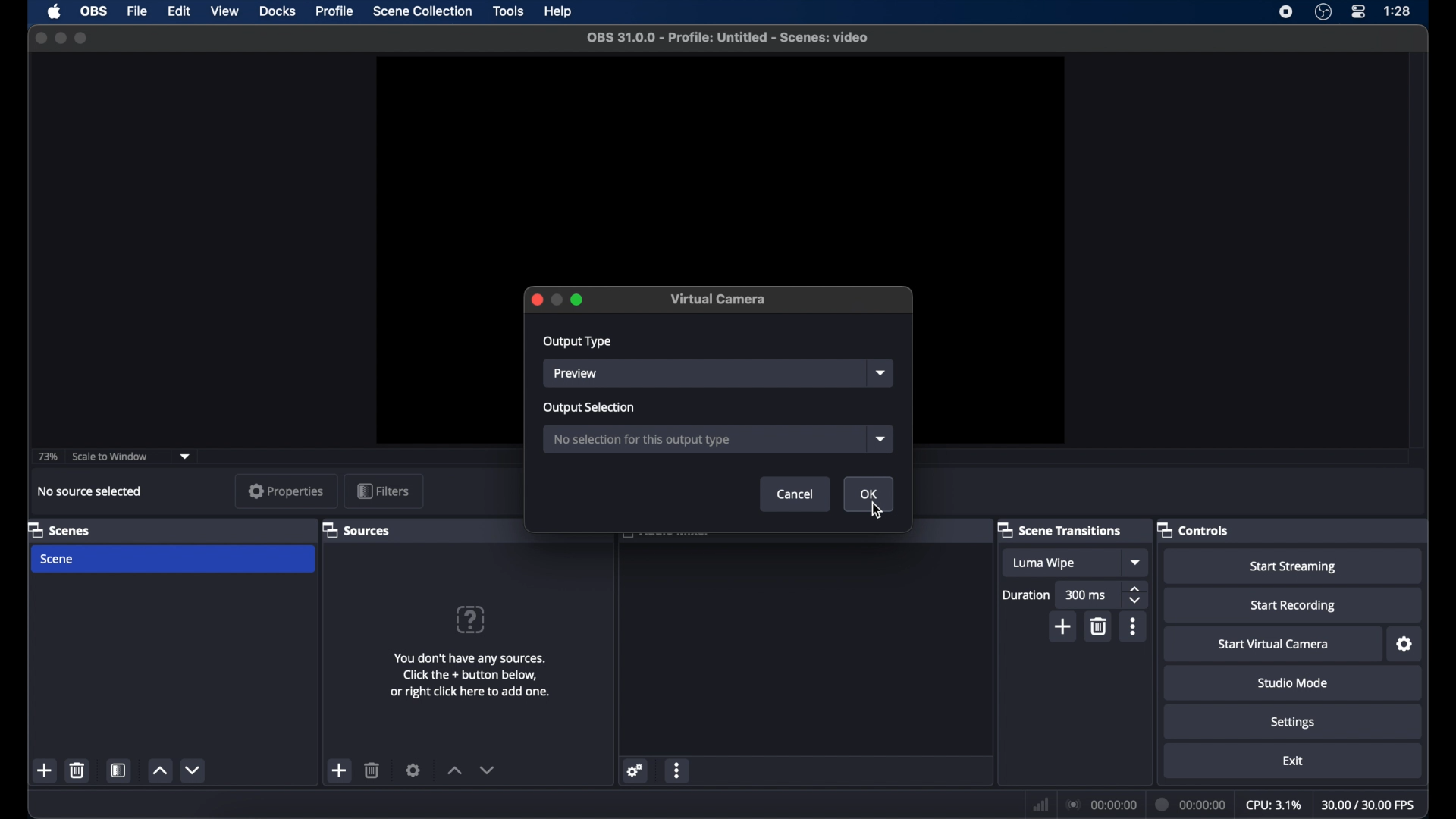 Image resolution: width=1456 pixels, height=819 pixels. Describe the element at coordinates (1134, 595) in the screenshot. I see `stepper buttons` at that location.